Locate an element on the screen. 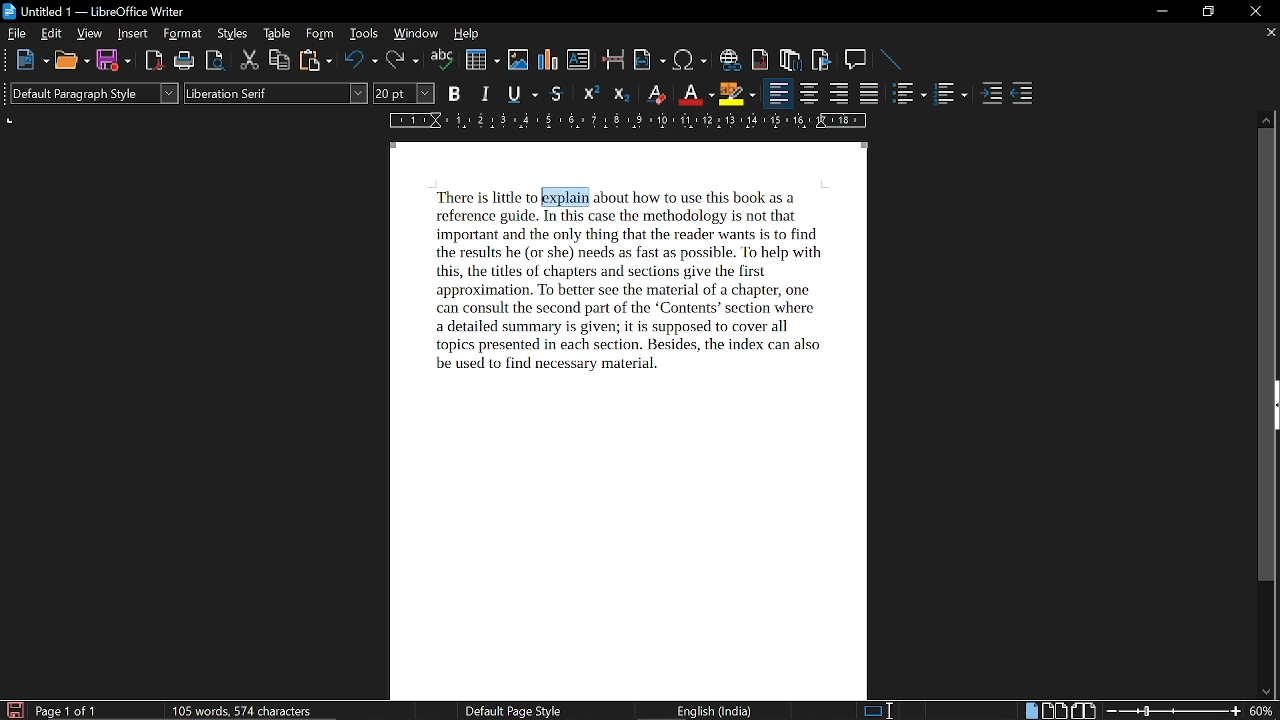  save is located at coordinates (114, 61).